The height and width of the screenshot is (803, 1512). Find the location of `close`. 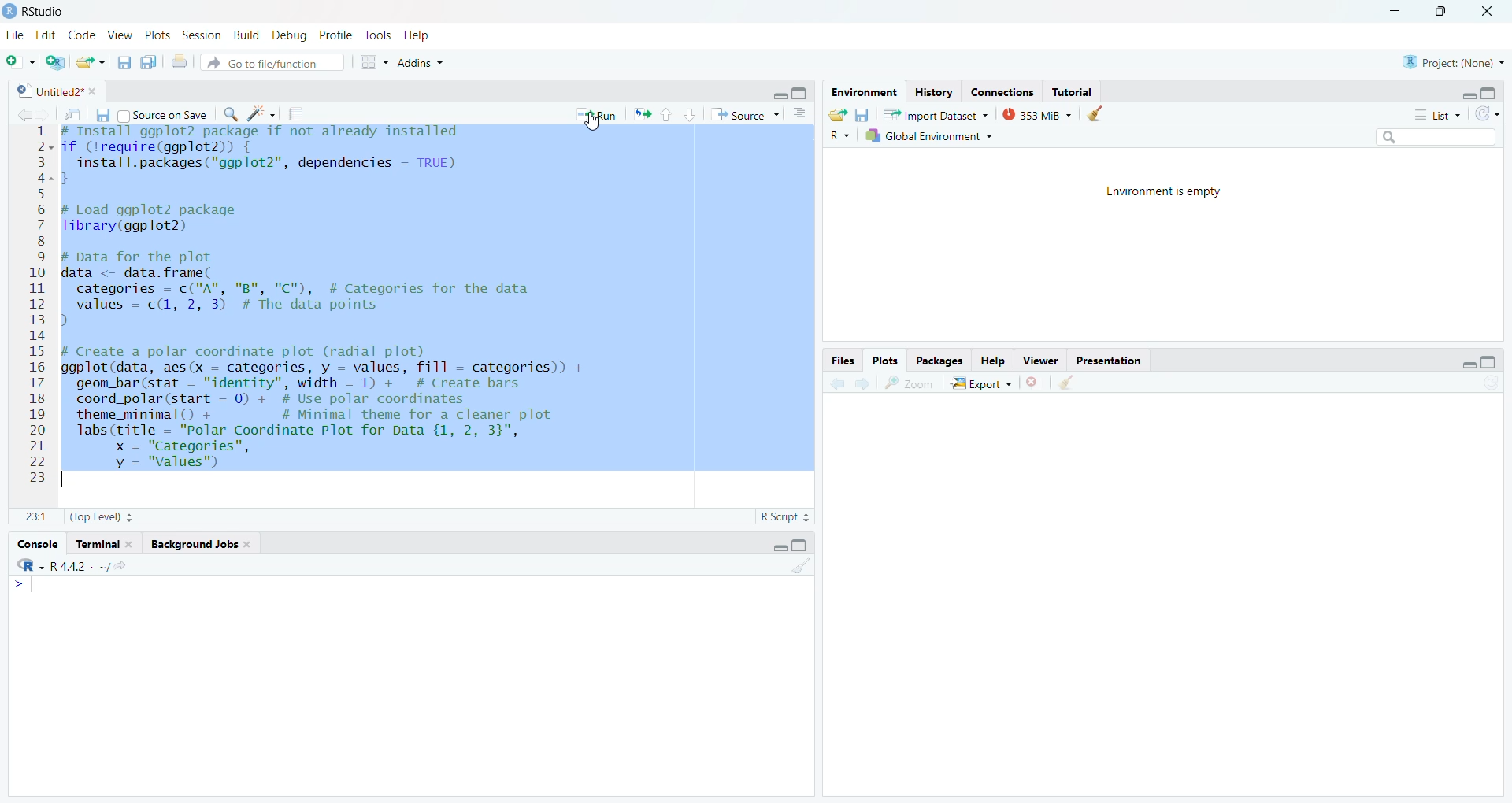

close is located at coordinates (1481, 11).